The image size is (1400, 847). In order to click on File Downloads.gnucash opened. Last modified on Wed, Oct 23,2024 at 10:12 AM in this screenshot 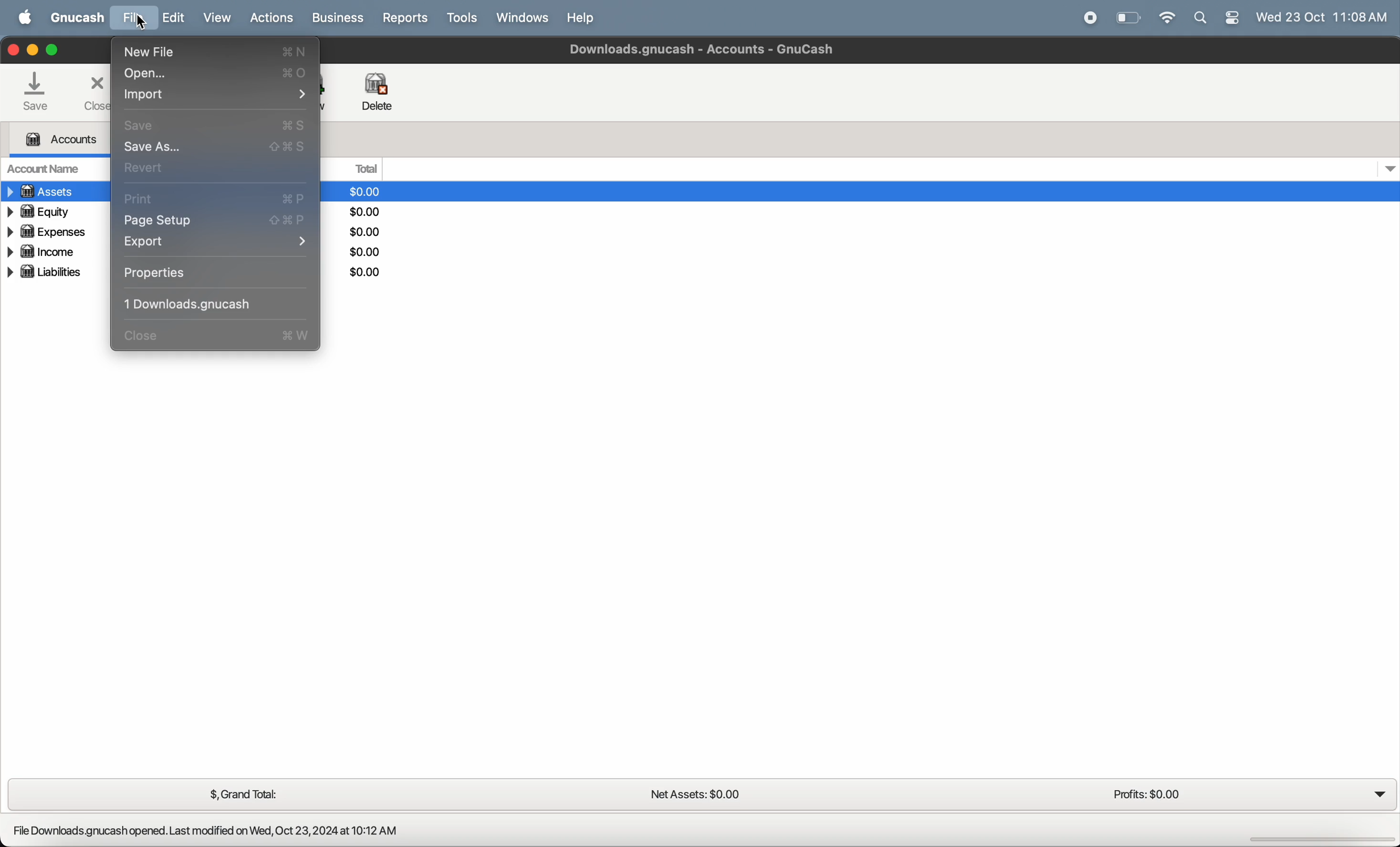, I will do `click(213, 828)`.